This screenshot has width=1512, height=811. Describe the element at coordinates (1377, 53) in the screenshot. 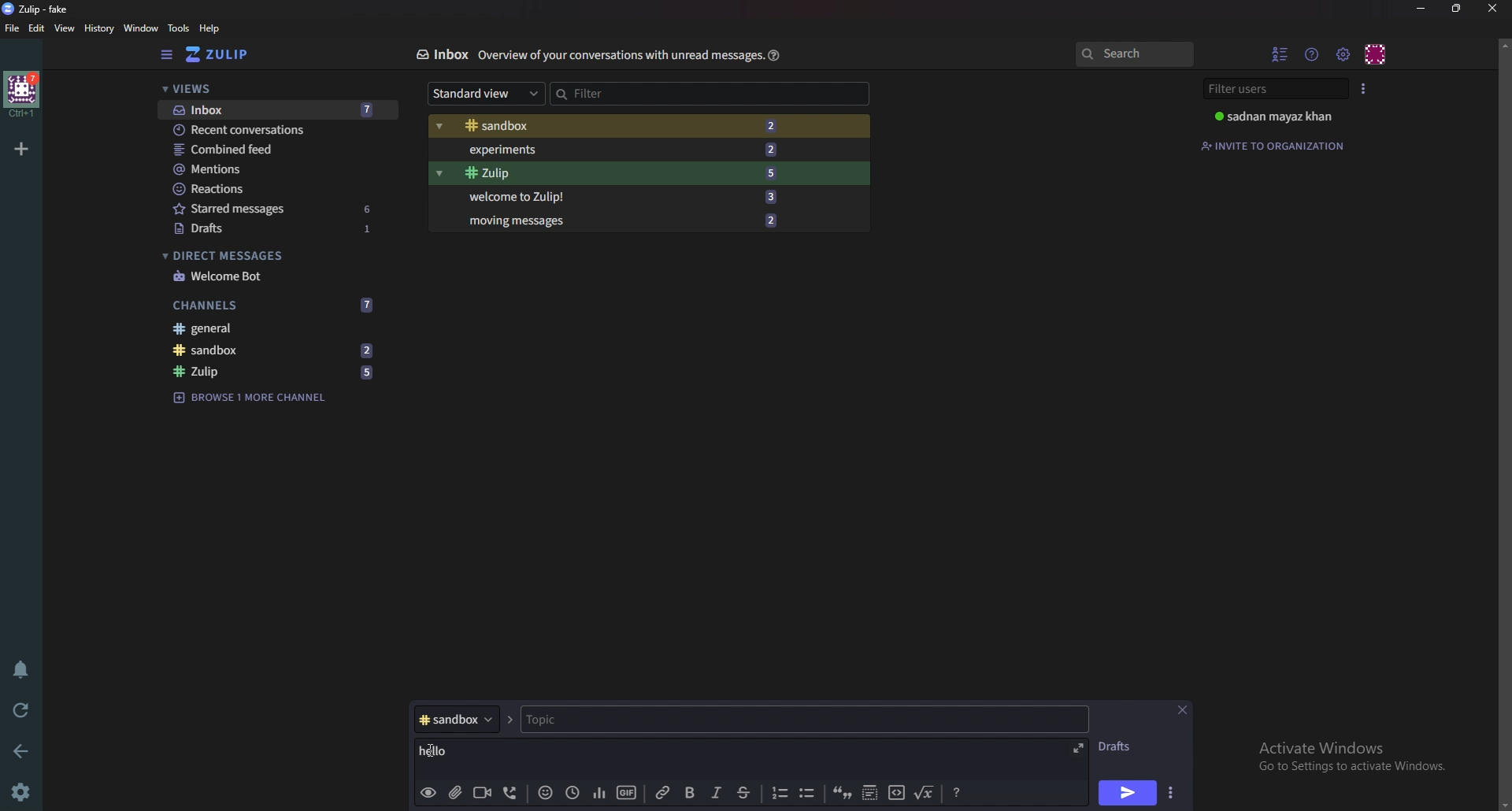

I see `Personal menu` at that location.